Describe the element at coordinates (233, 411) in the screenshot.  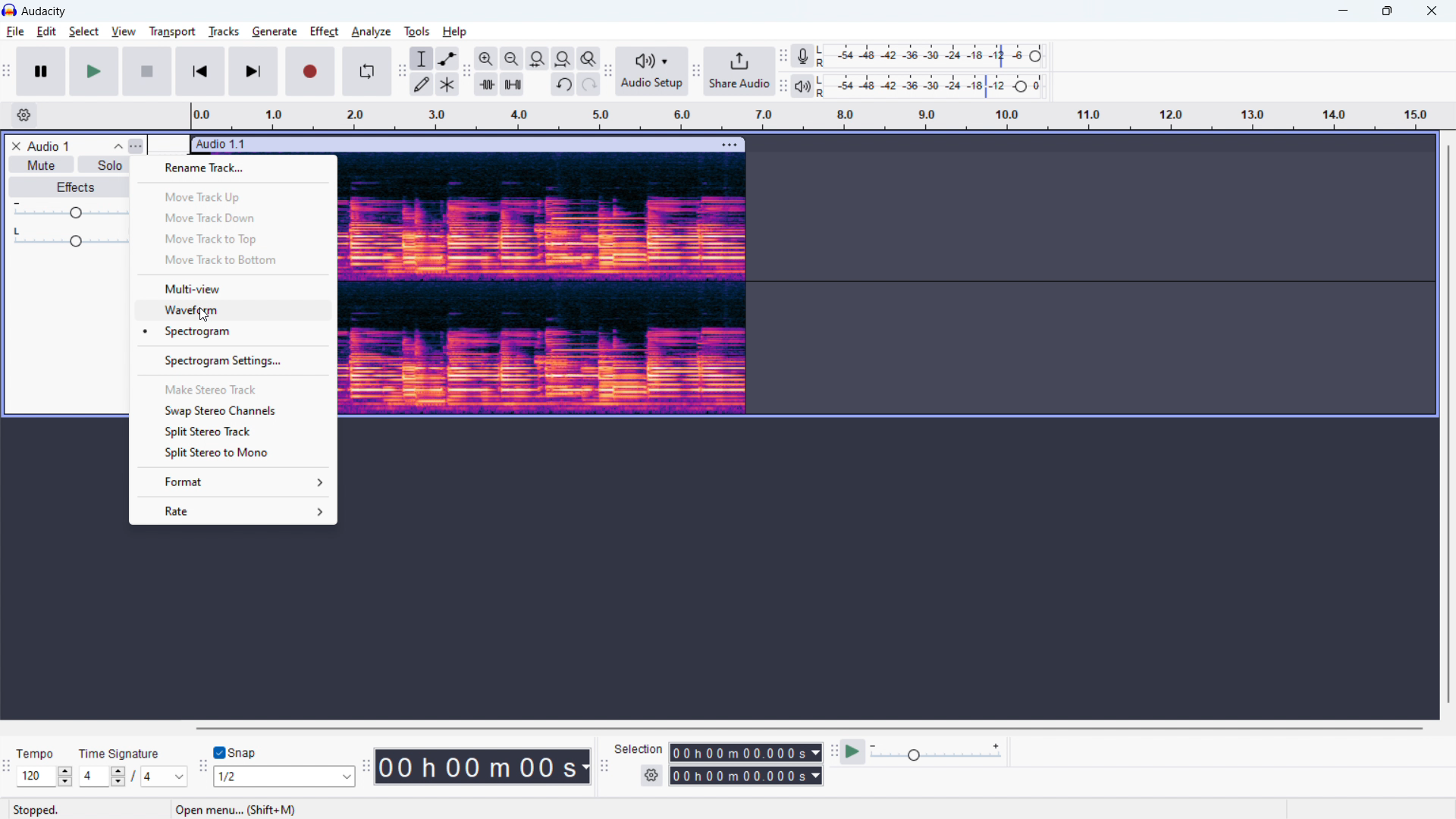
I see `swap stereo channels` at that location.